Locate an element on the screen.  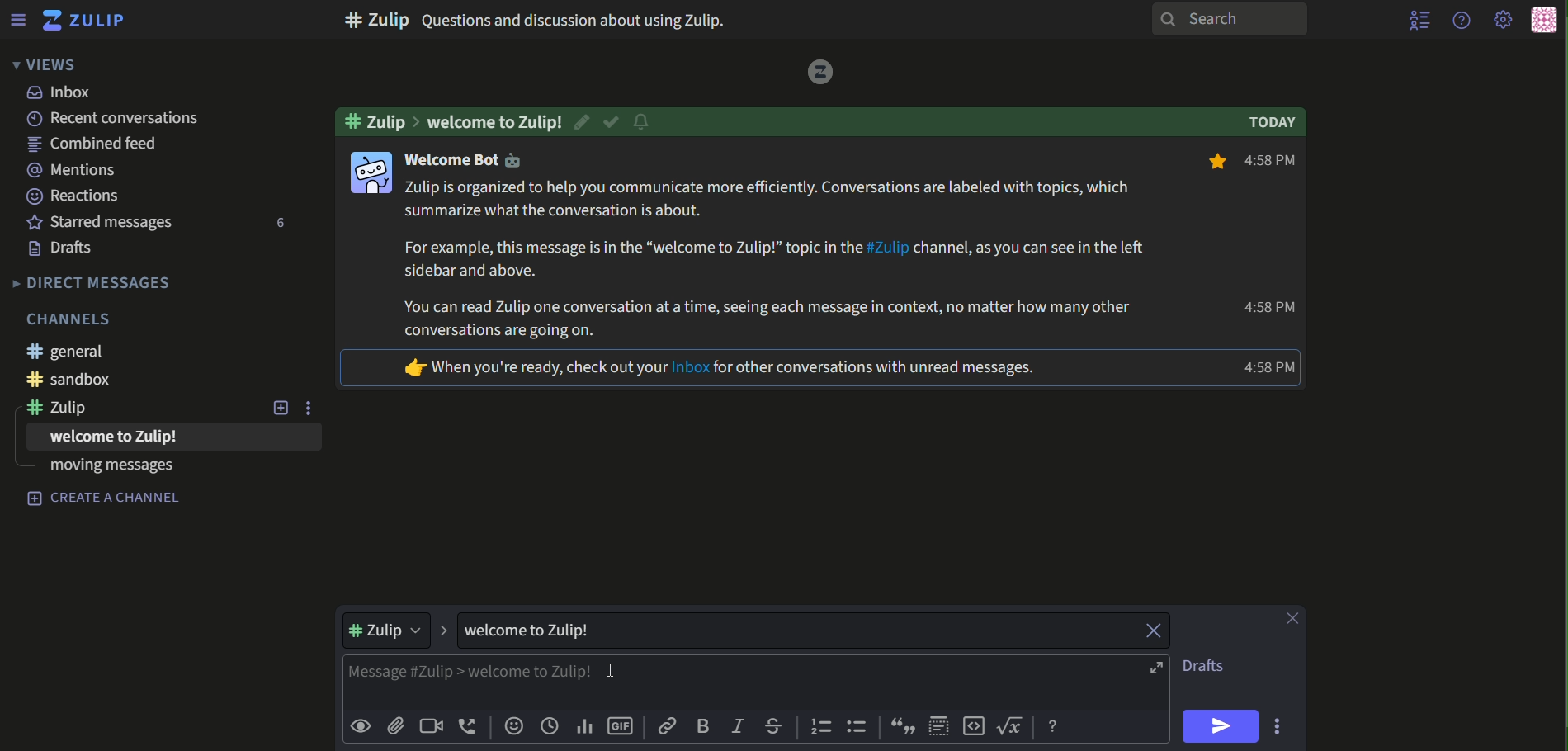
textbox is located at coordinates (725, 680).